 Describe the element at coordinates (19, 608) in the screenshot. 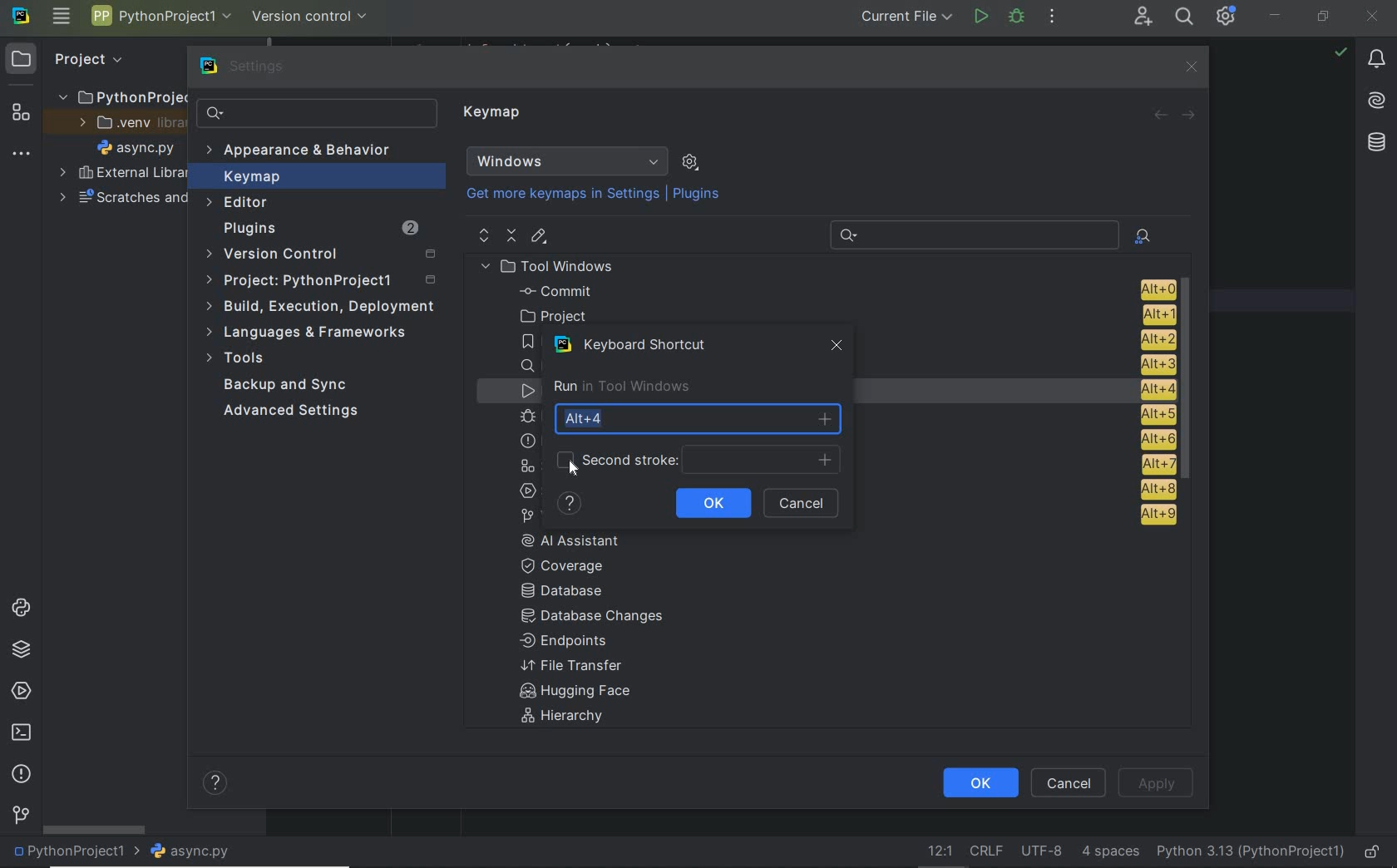

I see `python consoles` at that location.